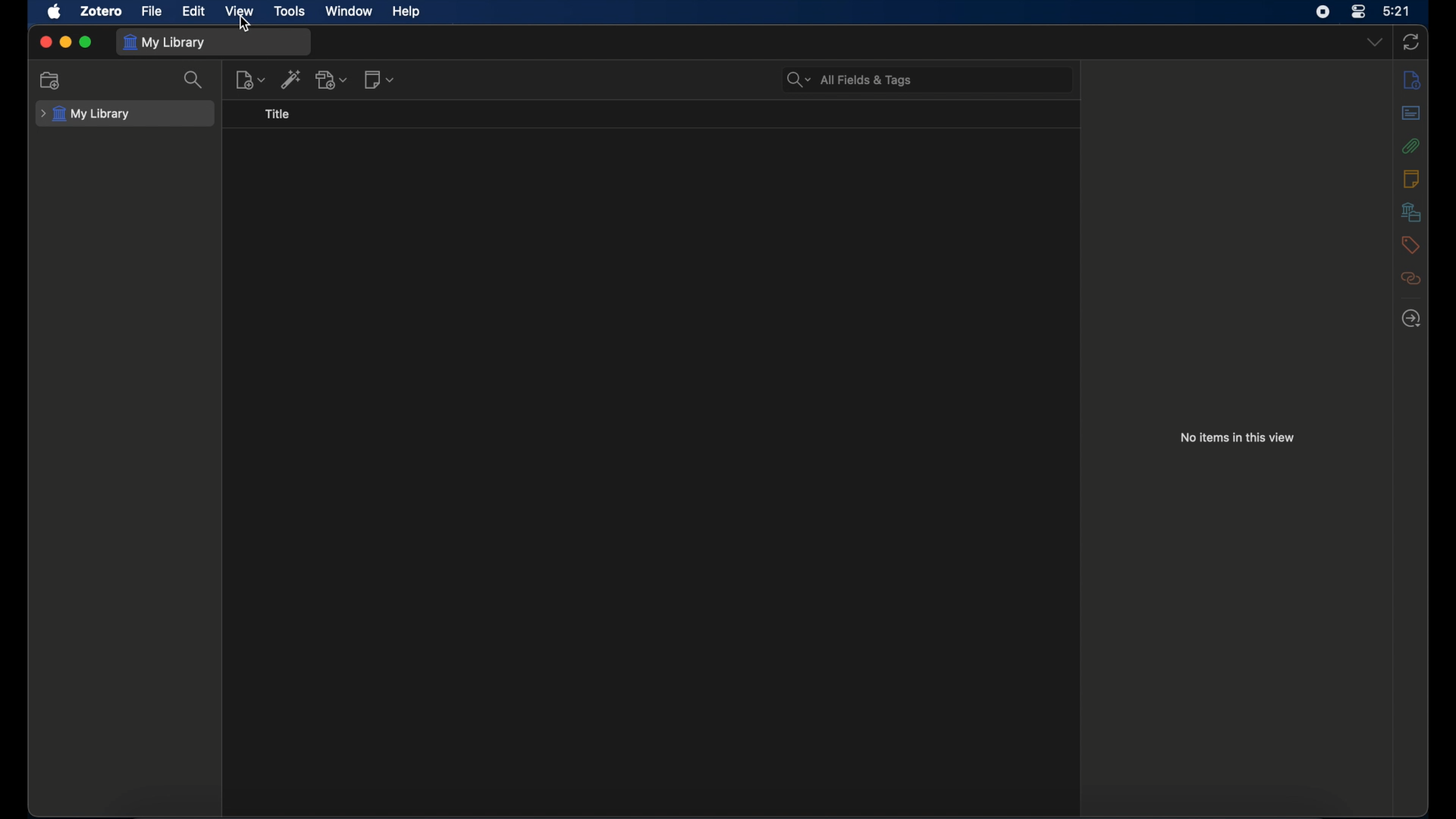 The width and height of the screenshot is (1456, 819). What do you see at coordinates (1410, 42) in the screenshot?
I see `sync` at bounding box center [1410, 42].